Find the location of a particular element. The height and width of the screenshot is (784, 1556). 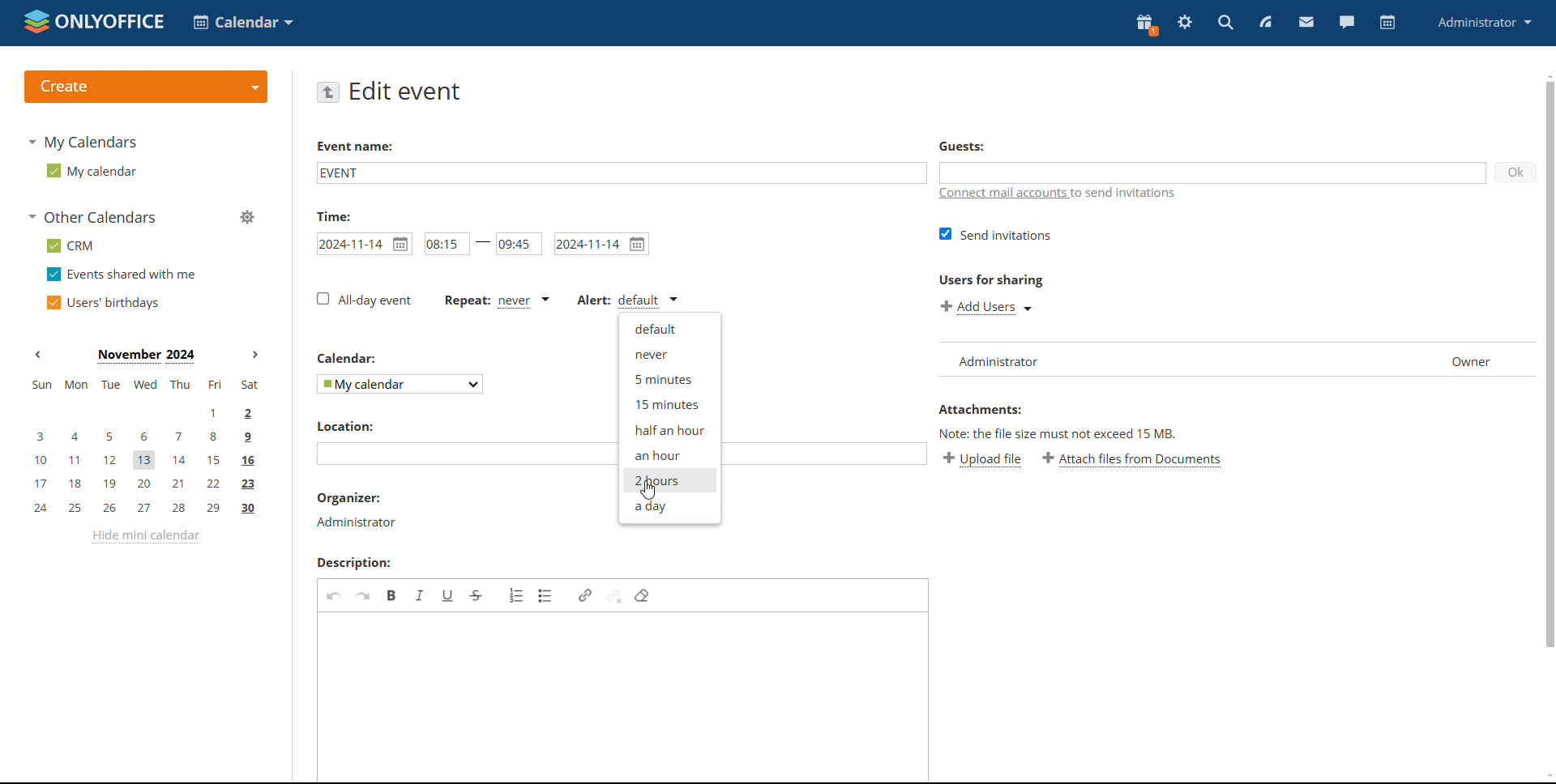

attachment label is located at coordinates (988, 408).